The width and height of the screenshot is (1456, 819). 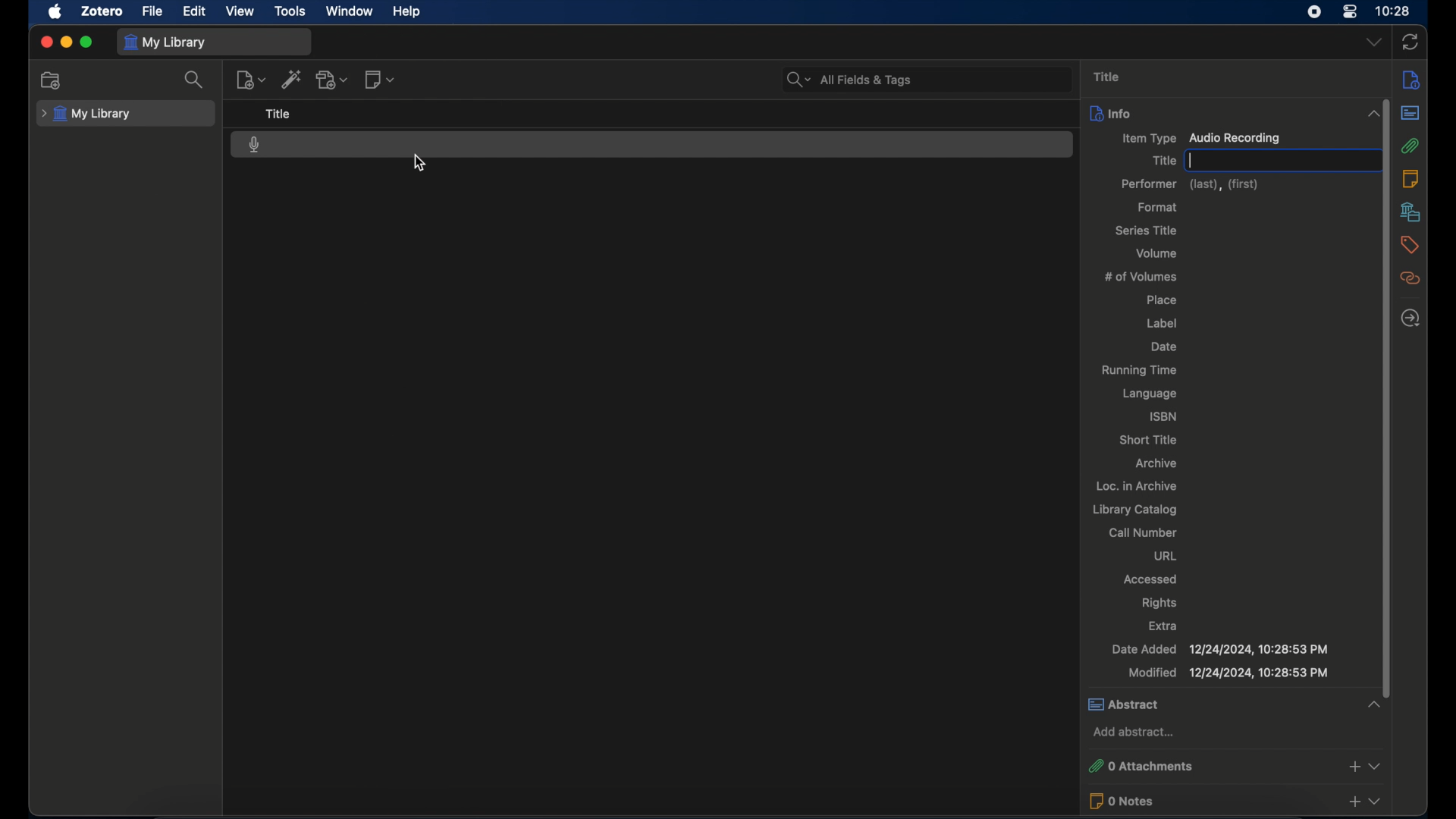 What do you see at coordinates (1236, 764) in the screenshot?
I see `0 attachments` at bounding box center [1236, 764].